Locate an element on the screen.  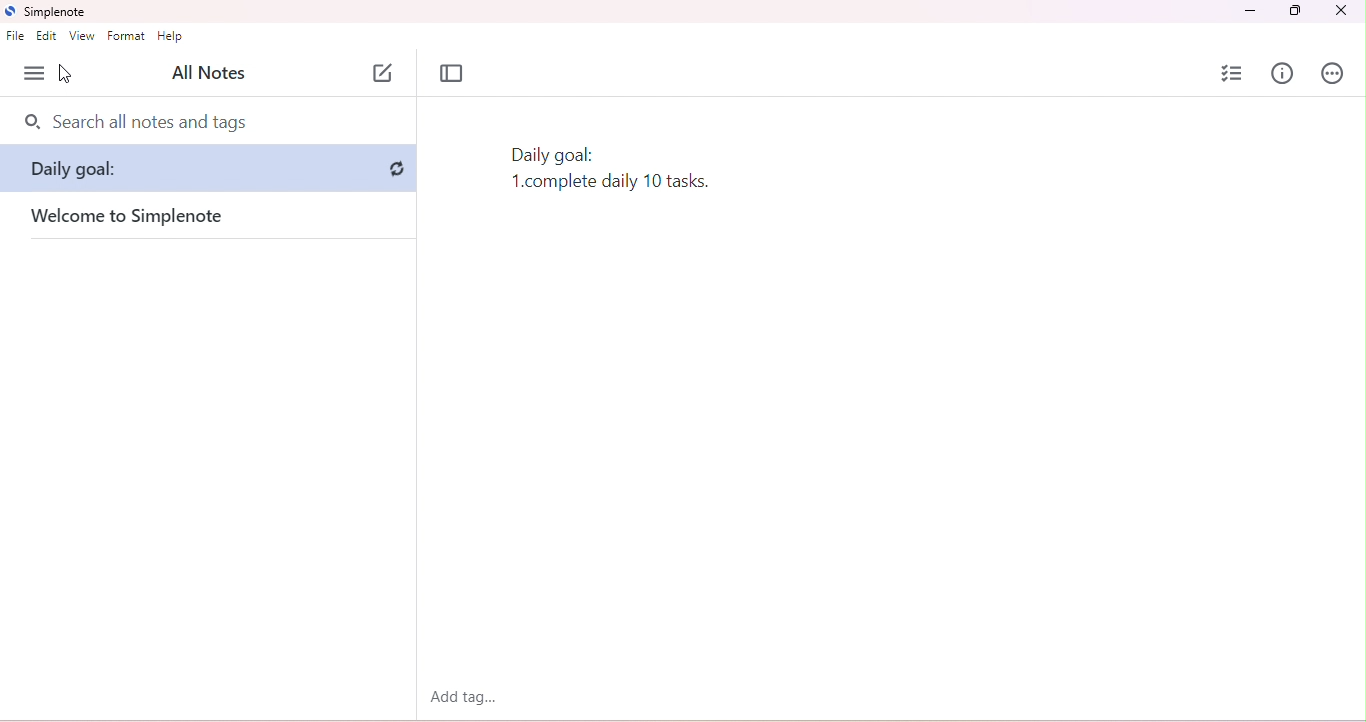
insert checklist is located at coordinates (1234, 72).